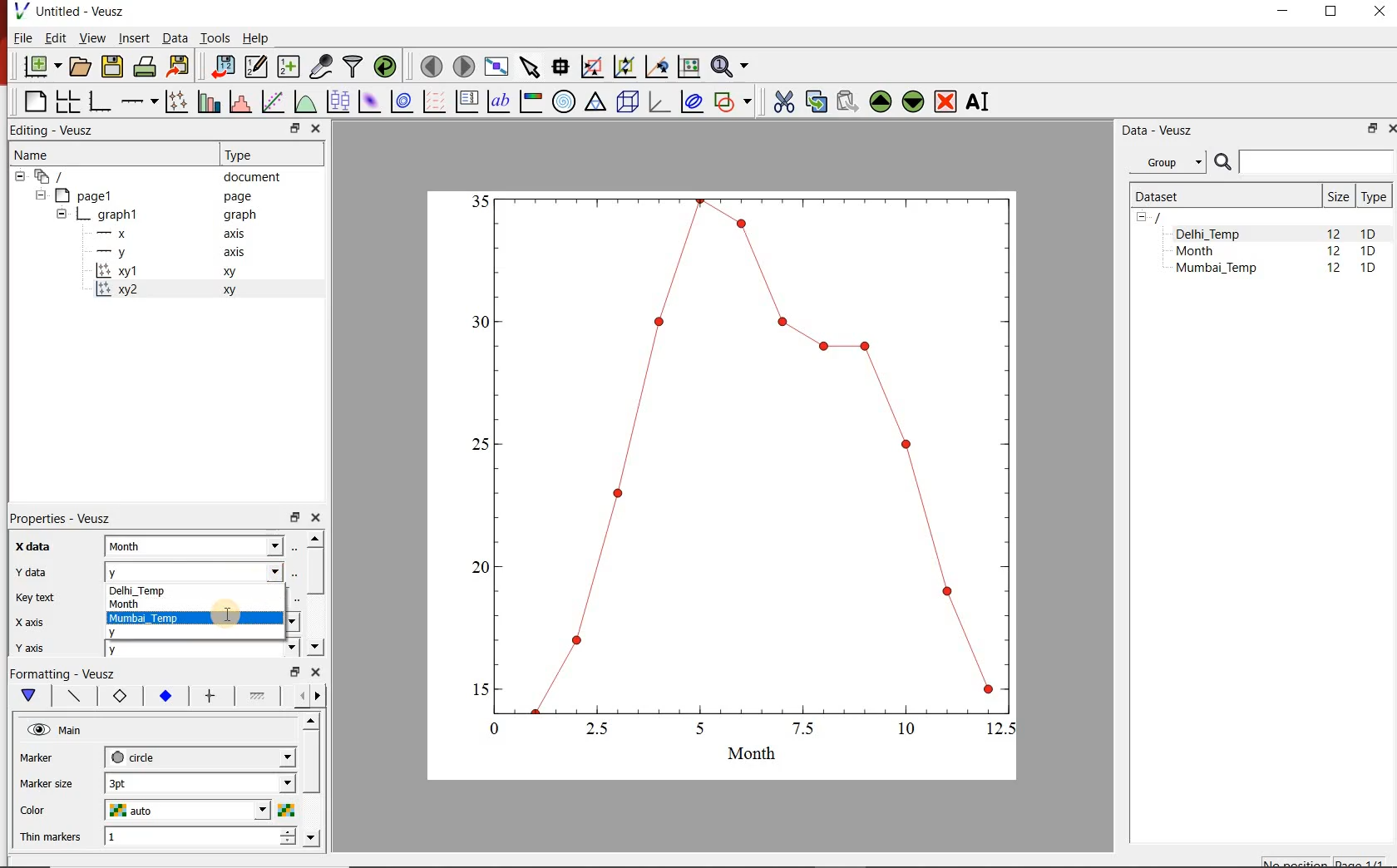  What do you see at coordinates (259, 696) in the screenshot?
I see `Minor ticks` at bounding box center [259, 696].